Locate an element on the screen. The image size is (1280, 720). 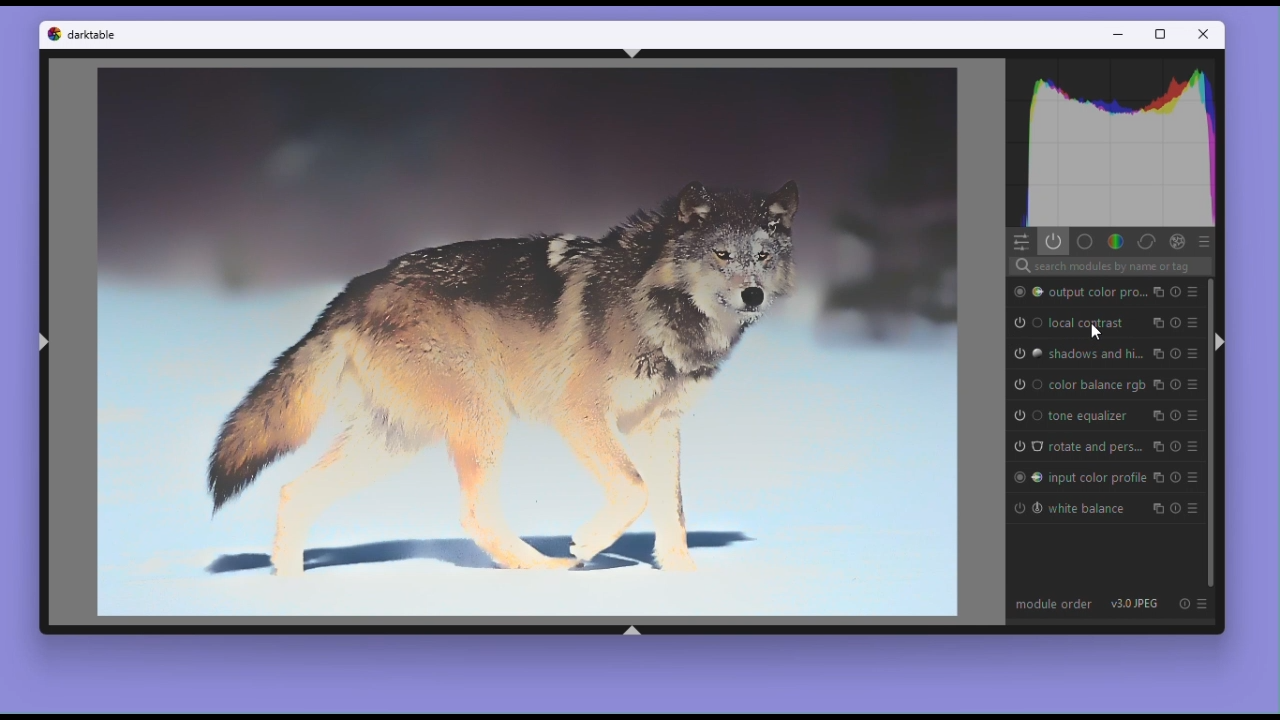
shift+ctrl+r is located at coordinates (1226, 343).